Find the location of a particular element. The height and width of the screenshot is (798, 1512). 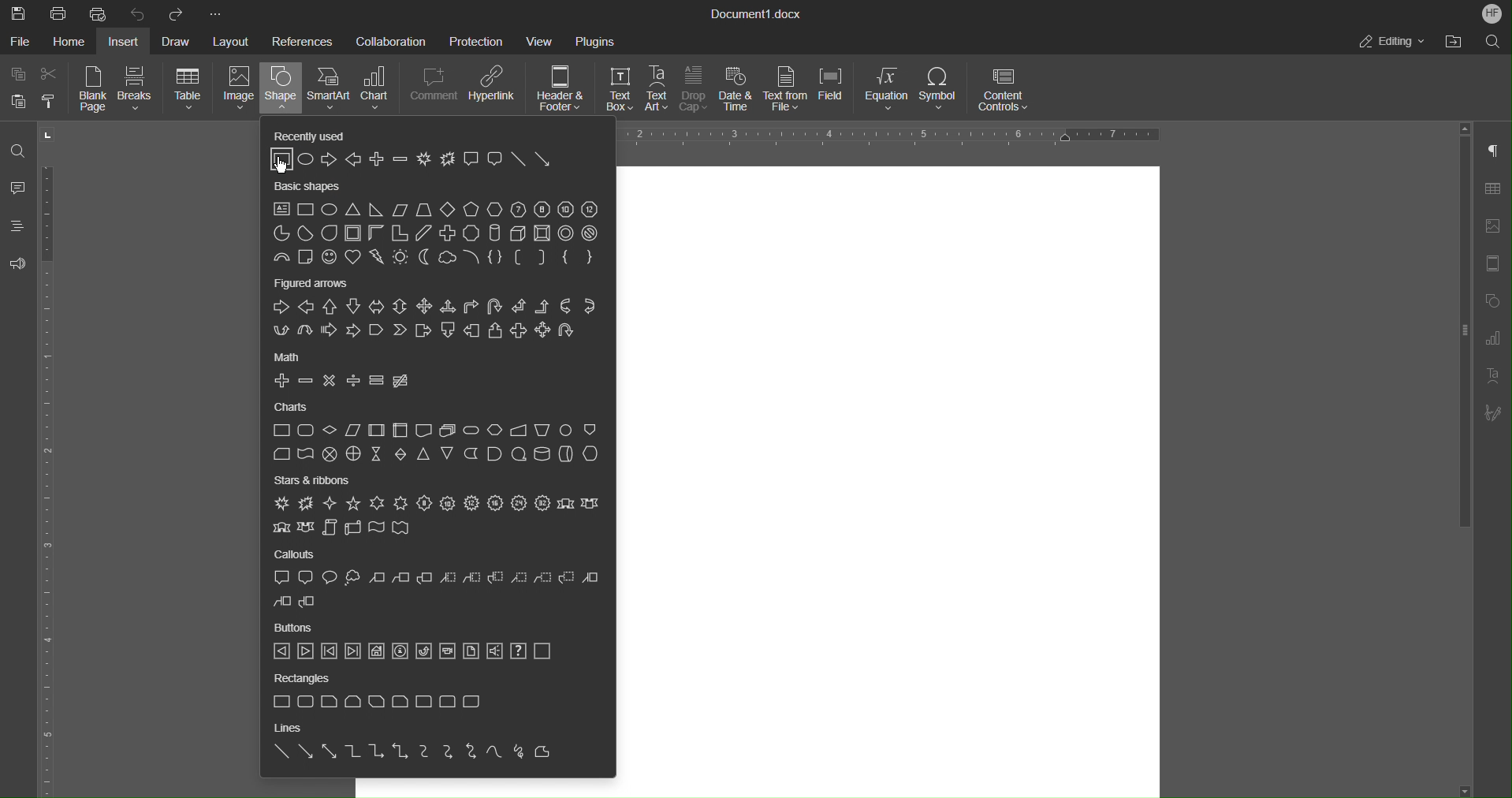

SmartArt is located at coordinates (331, 90).